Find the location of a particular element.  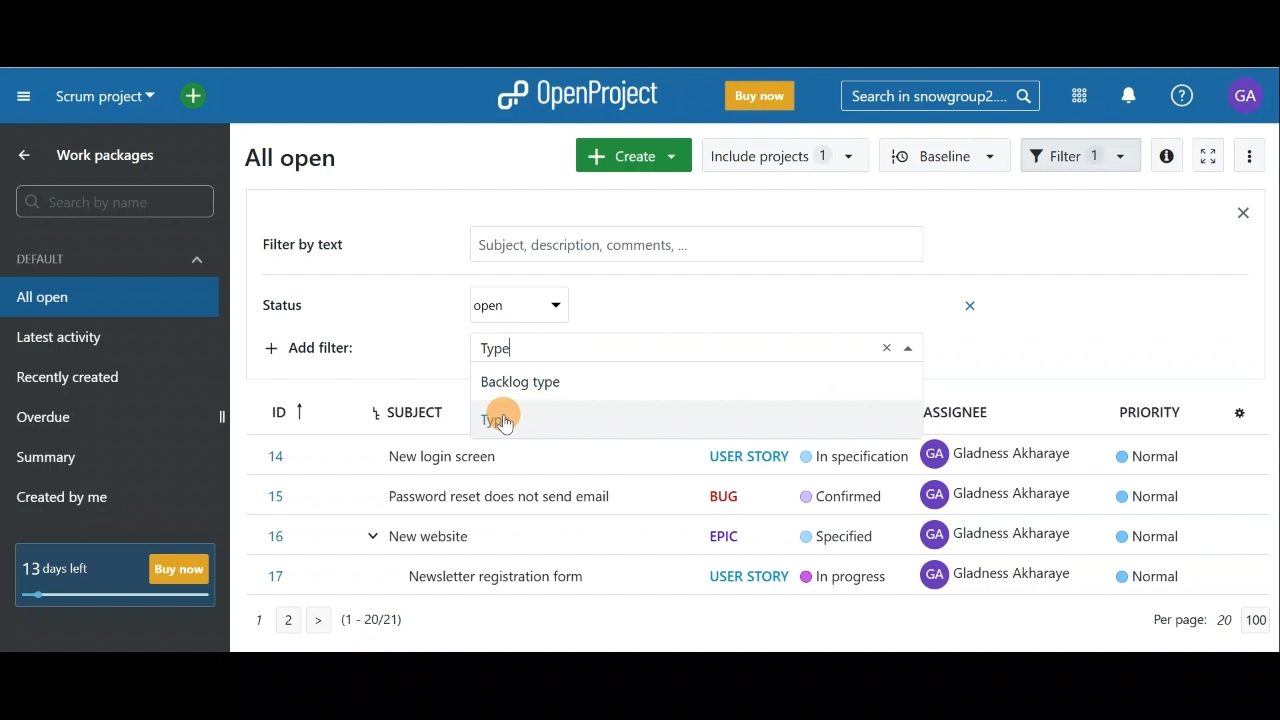

Item 8 is located at coordinates (727, 536).